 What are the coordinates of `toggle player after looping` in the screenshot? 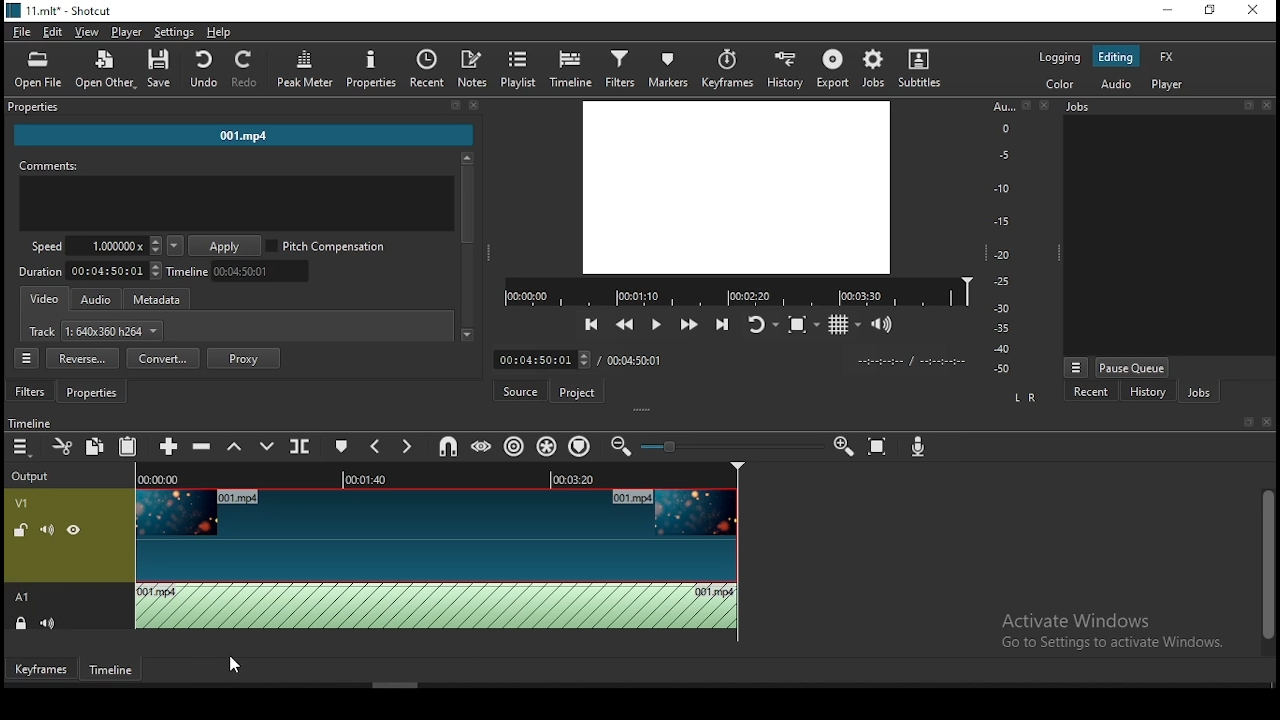 It's located at (762, 326).